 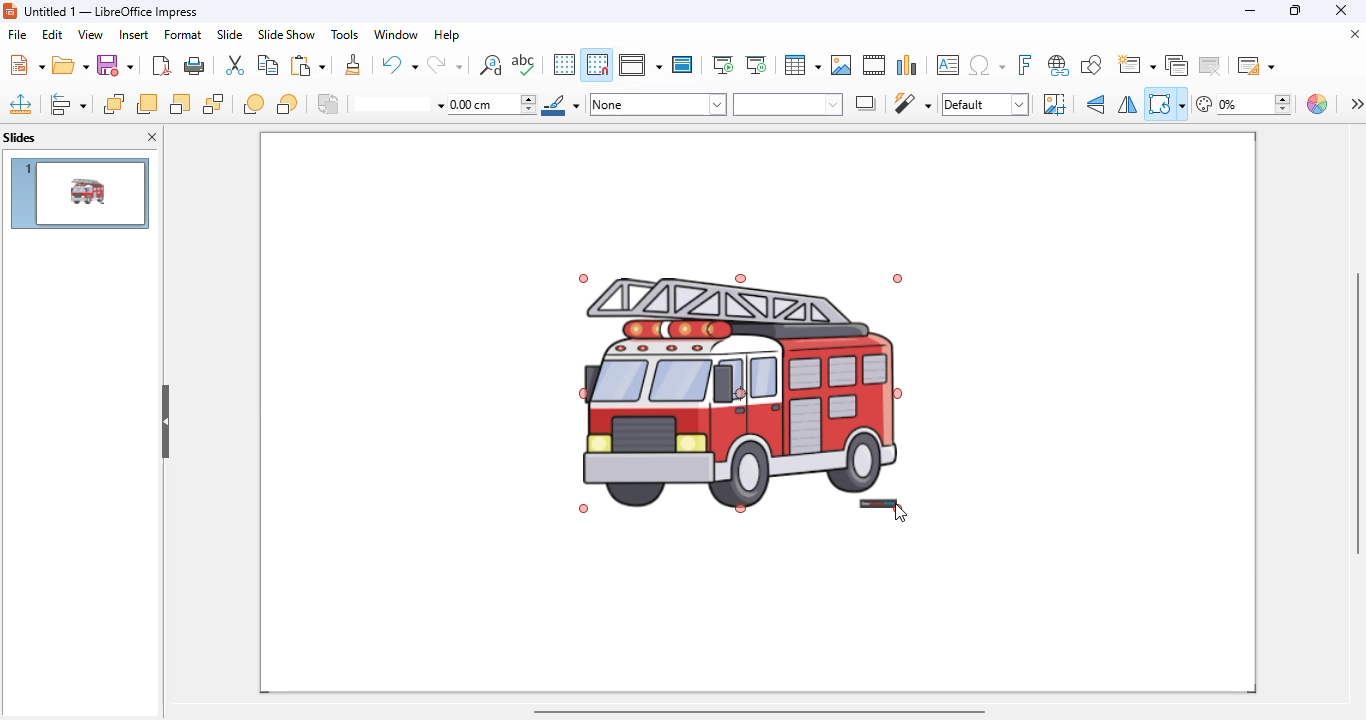 I want to click on display grid, so click(x=564, y=65).